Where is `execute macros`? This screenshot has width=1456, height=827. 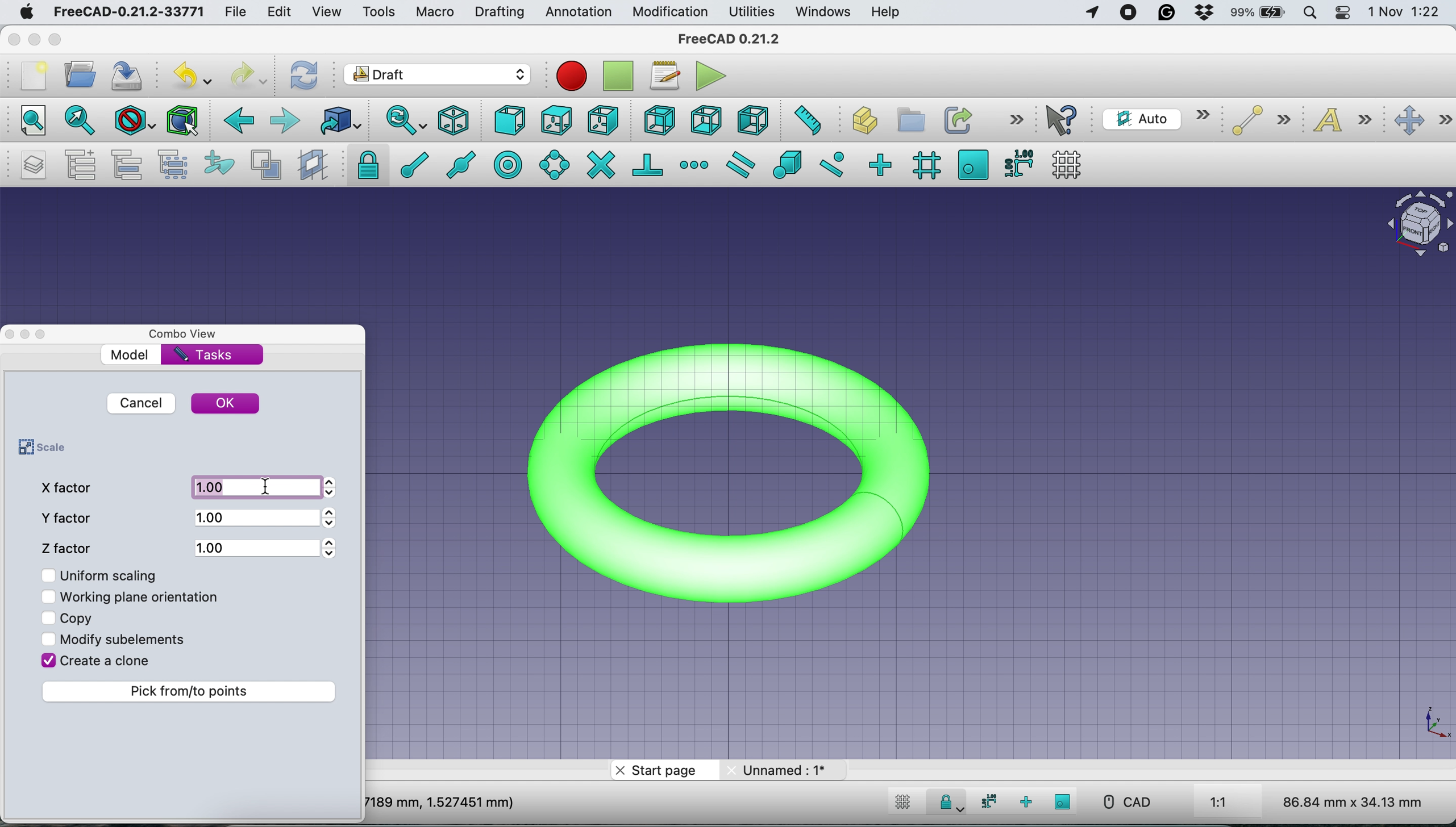 execute macros is located at coordinates (711, 76).